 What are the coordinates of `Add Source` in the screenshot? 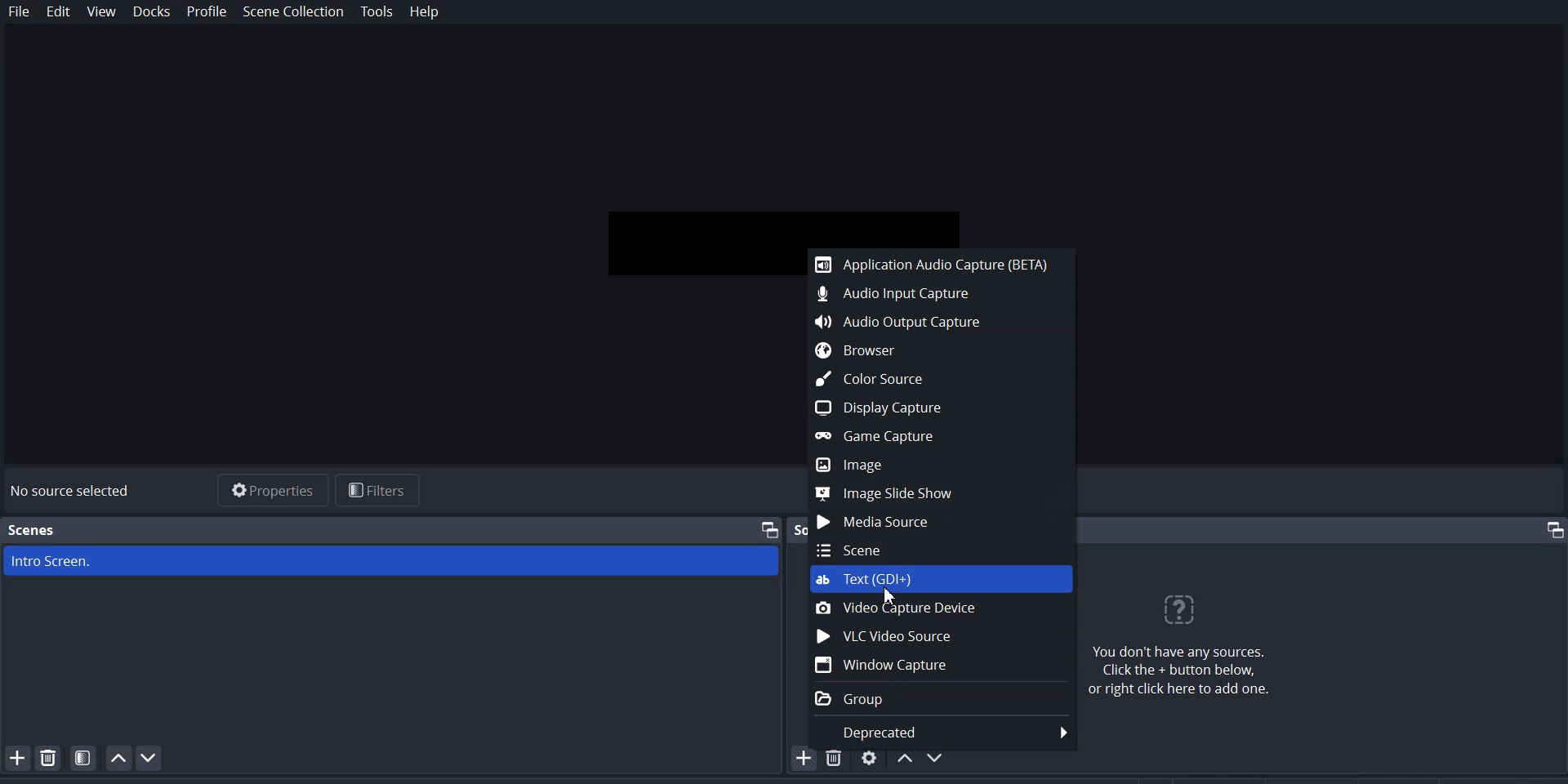 It's located at (804, 758).